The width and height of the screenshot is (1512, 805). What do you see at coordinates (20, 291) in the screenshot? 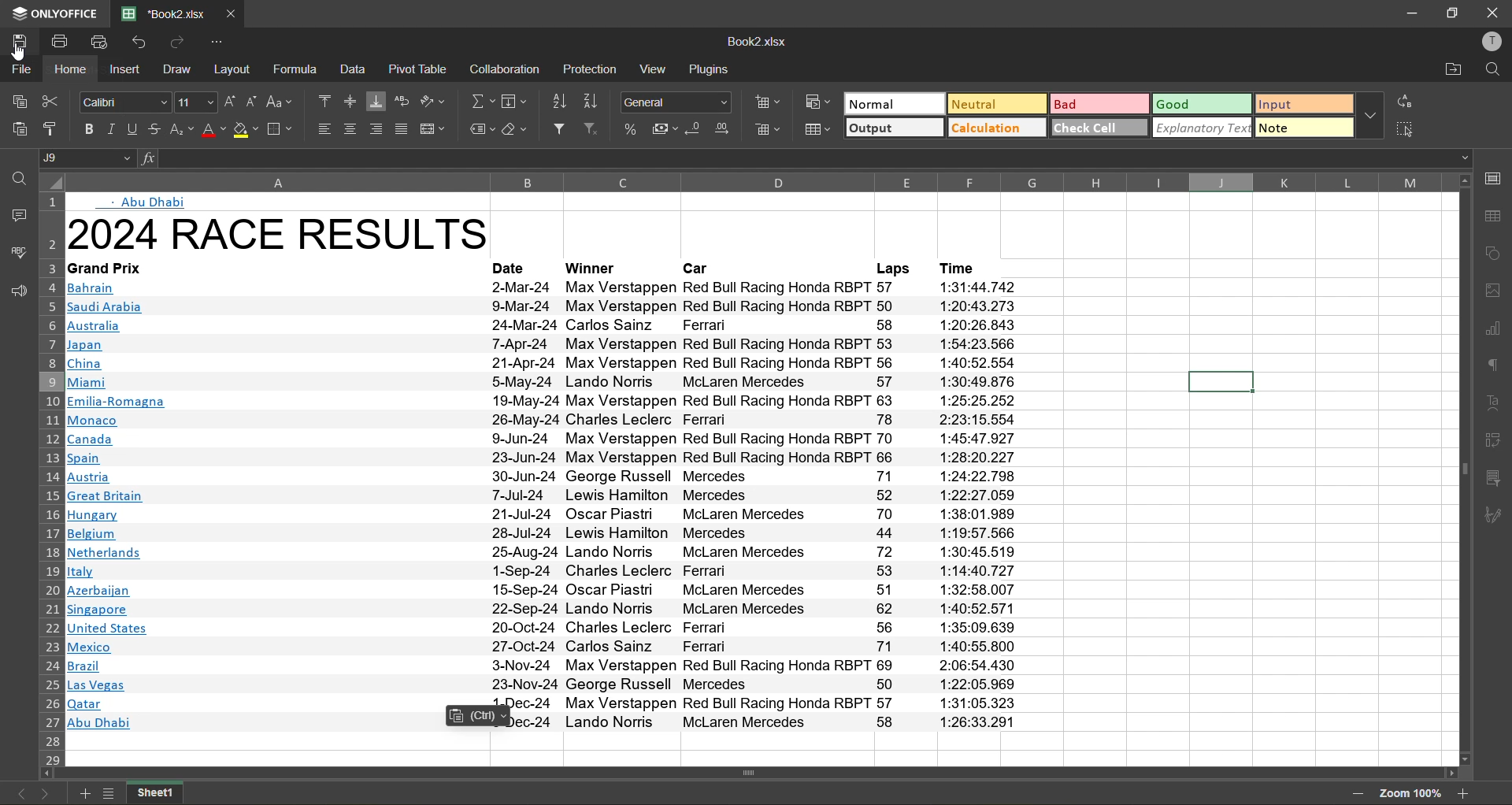
I see `feedback` at bounding box center [20, 291].